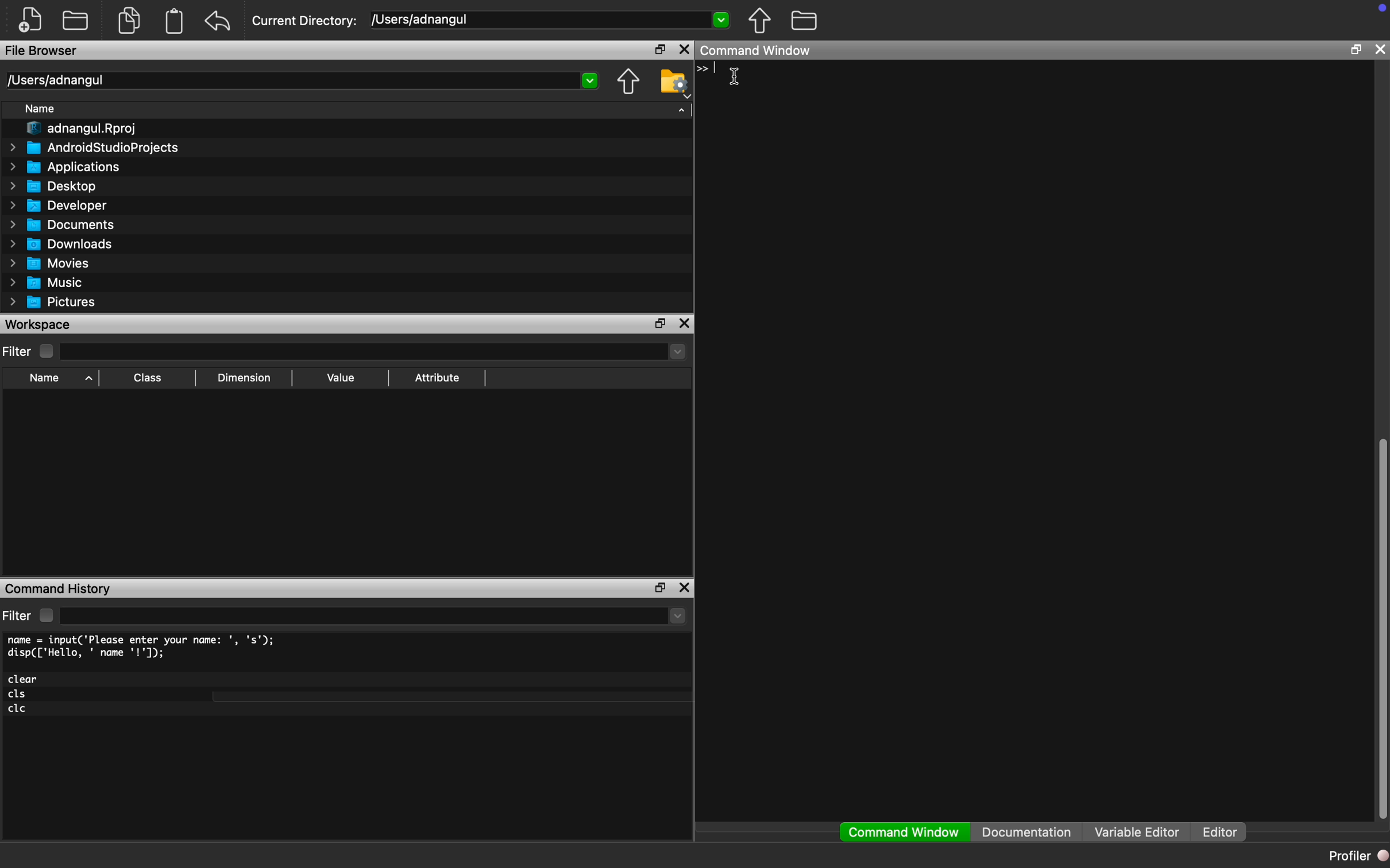 This screenshot has height=868, width=1390. Describe the element at coordinates (24, 679) in the screenshot. I see `clear` at that location.